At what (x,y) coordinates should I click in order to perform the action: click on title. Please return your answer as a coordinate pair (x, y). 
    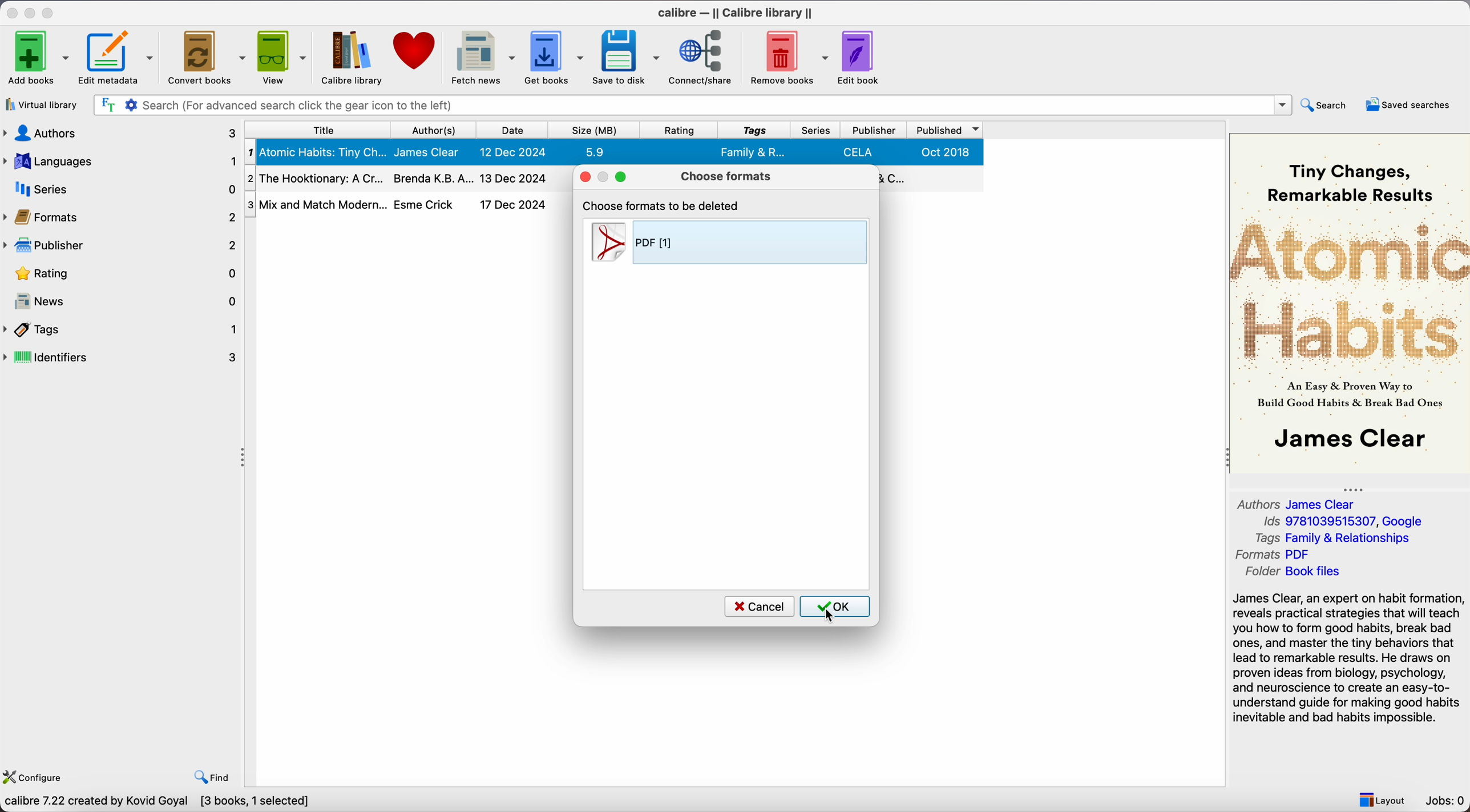
    Looking at the image, I should click on (315, 129).